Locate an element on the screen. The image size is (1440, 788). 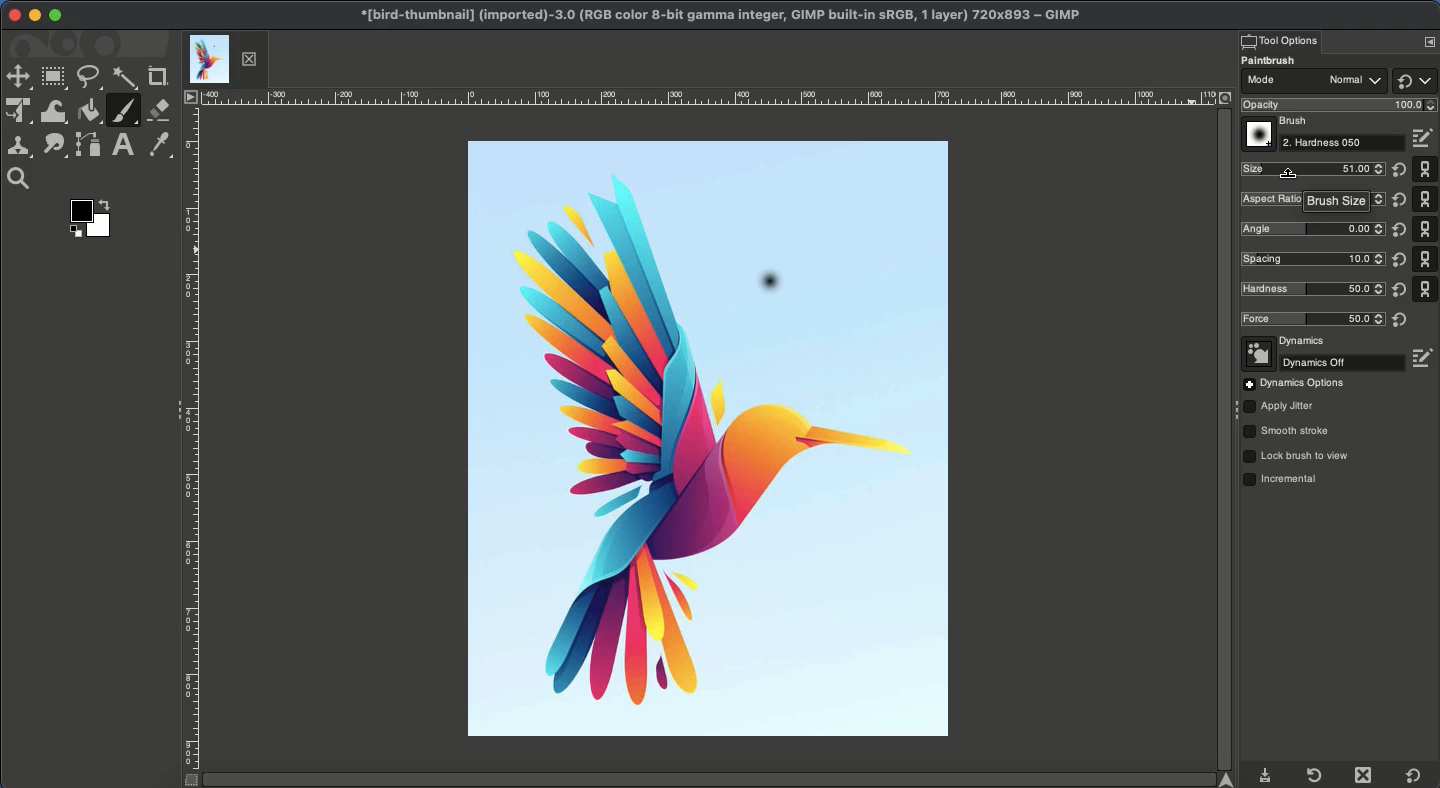
Scroll is located at coordinates (718, 780).